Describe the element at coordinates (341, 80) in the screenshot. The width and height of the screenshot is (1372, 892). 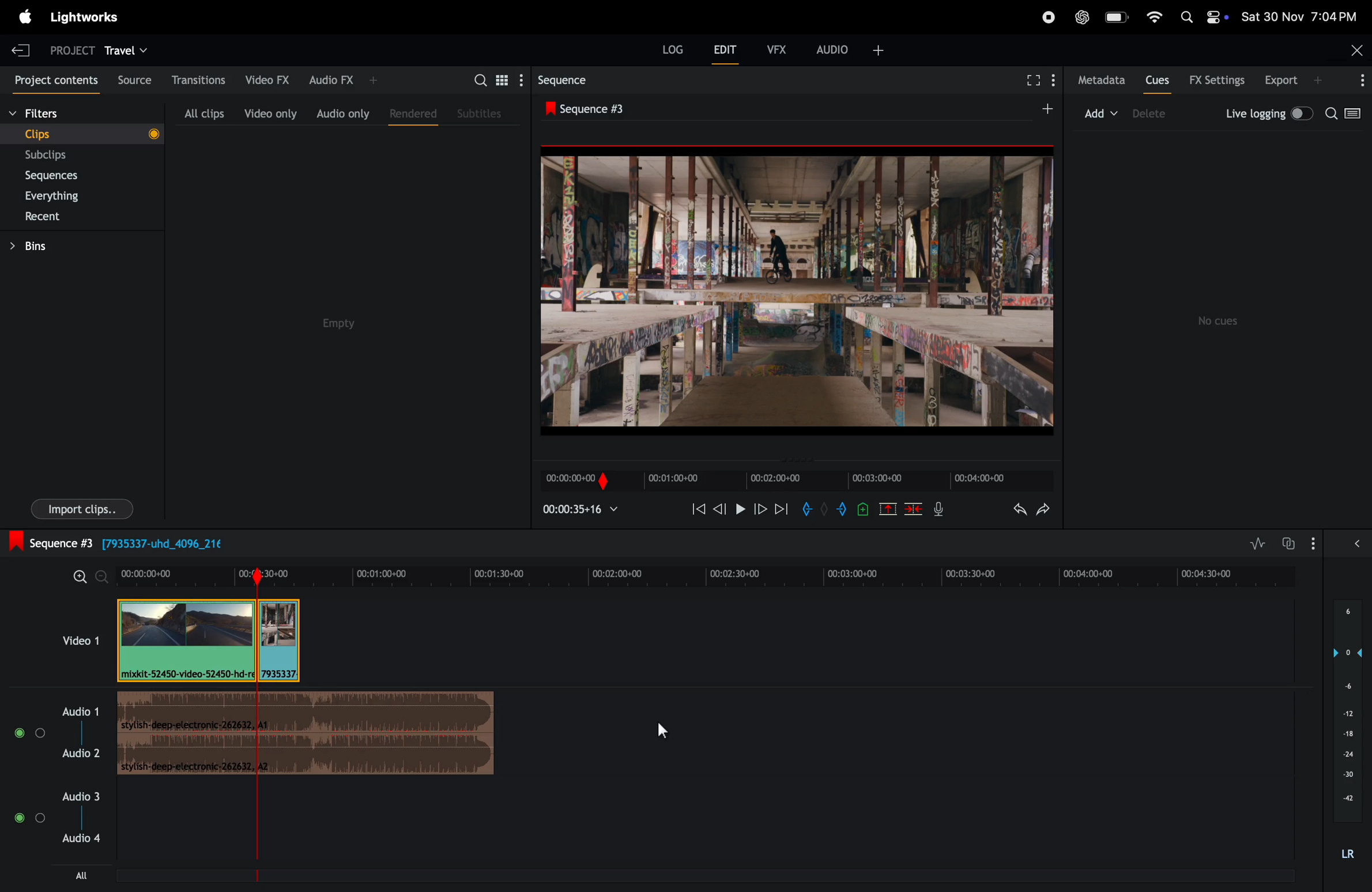
I see `audio fx` at that location.